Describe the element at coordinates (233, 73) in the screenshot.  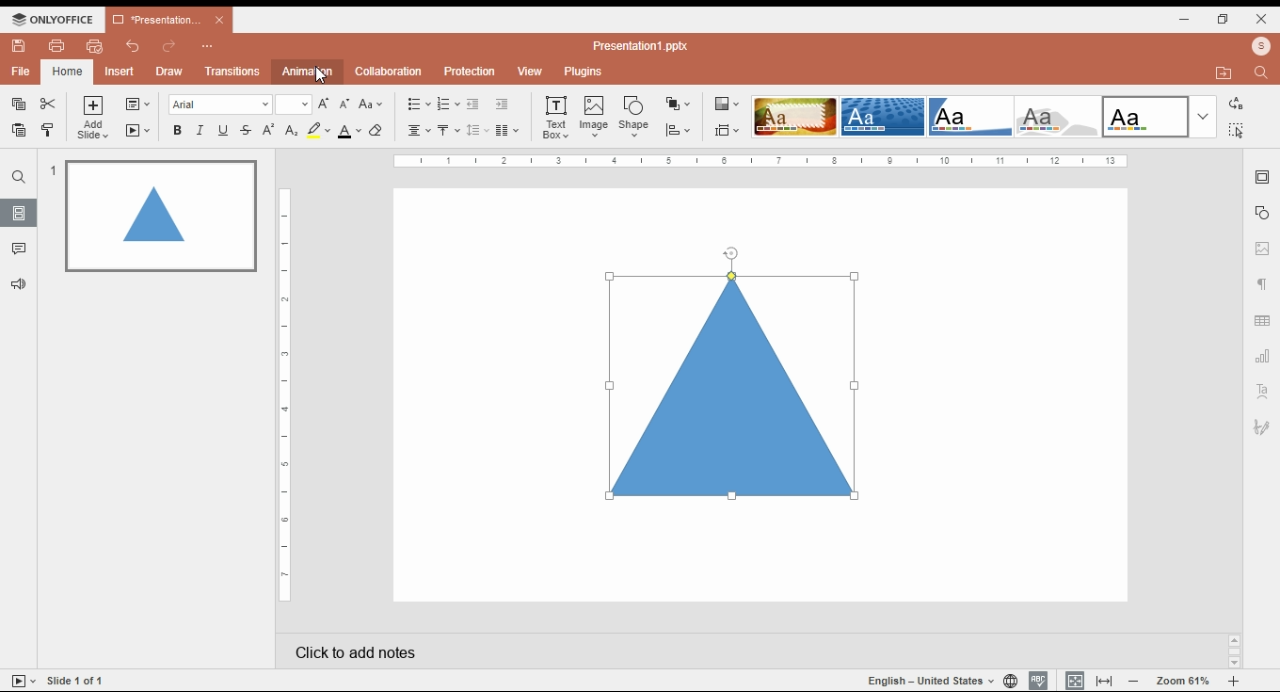
I see `transitions` at that location.